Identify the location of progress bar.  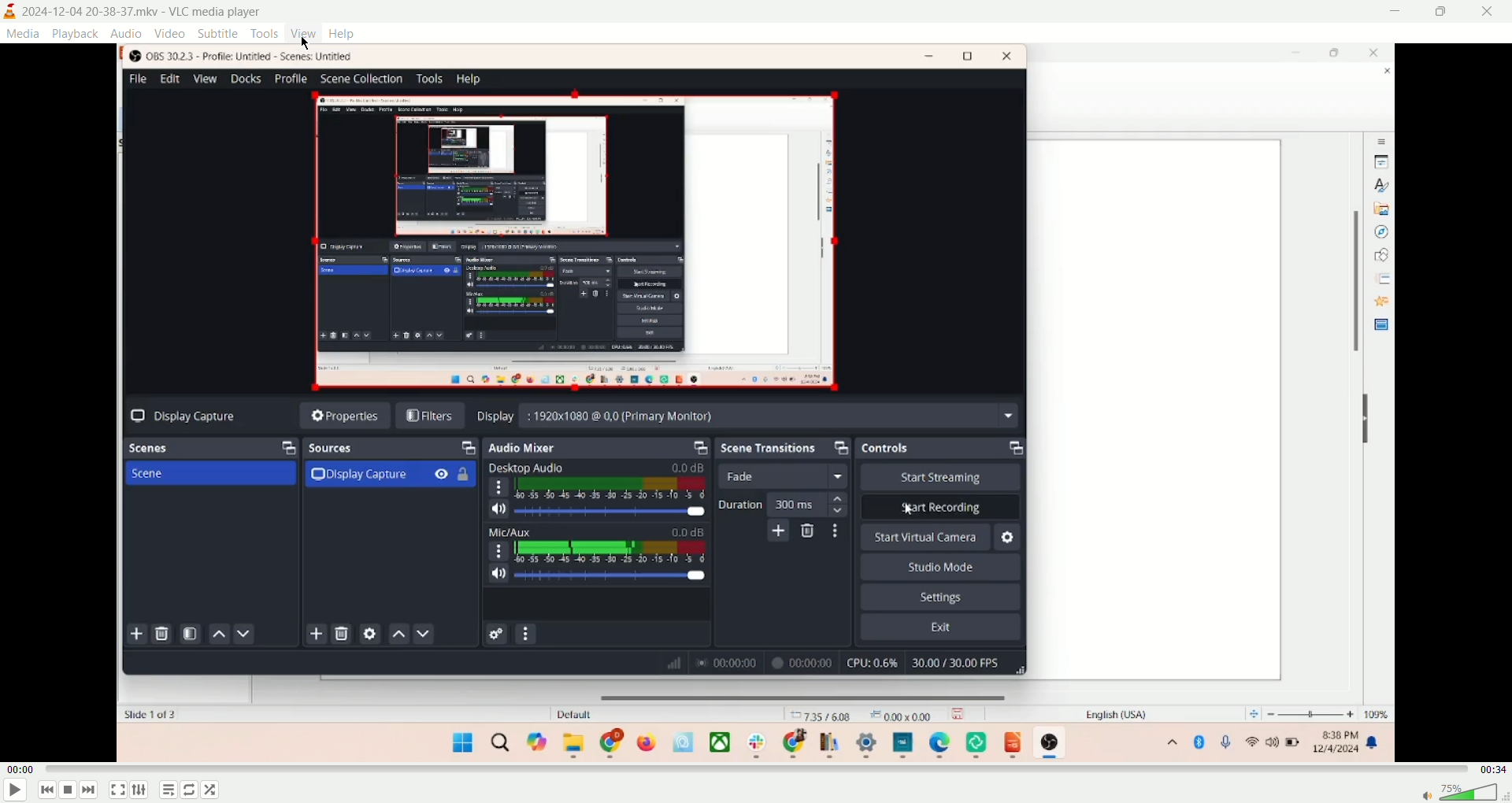
(758, 768).